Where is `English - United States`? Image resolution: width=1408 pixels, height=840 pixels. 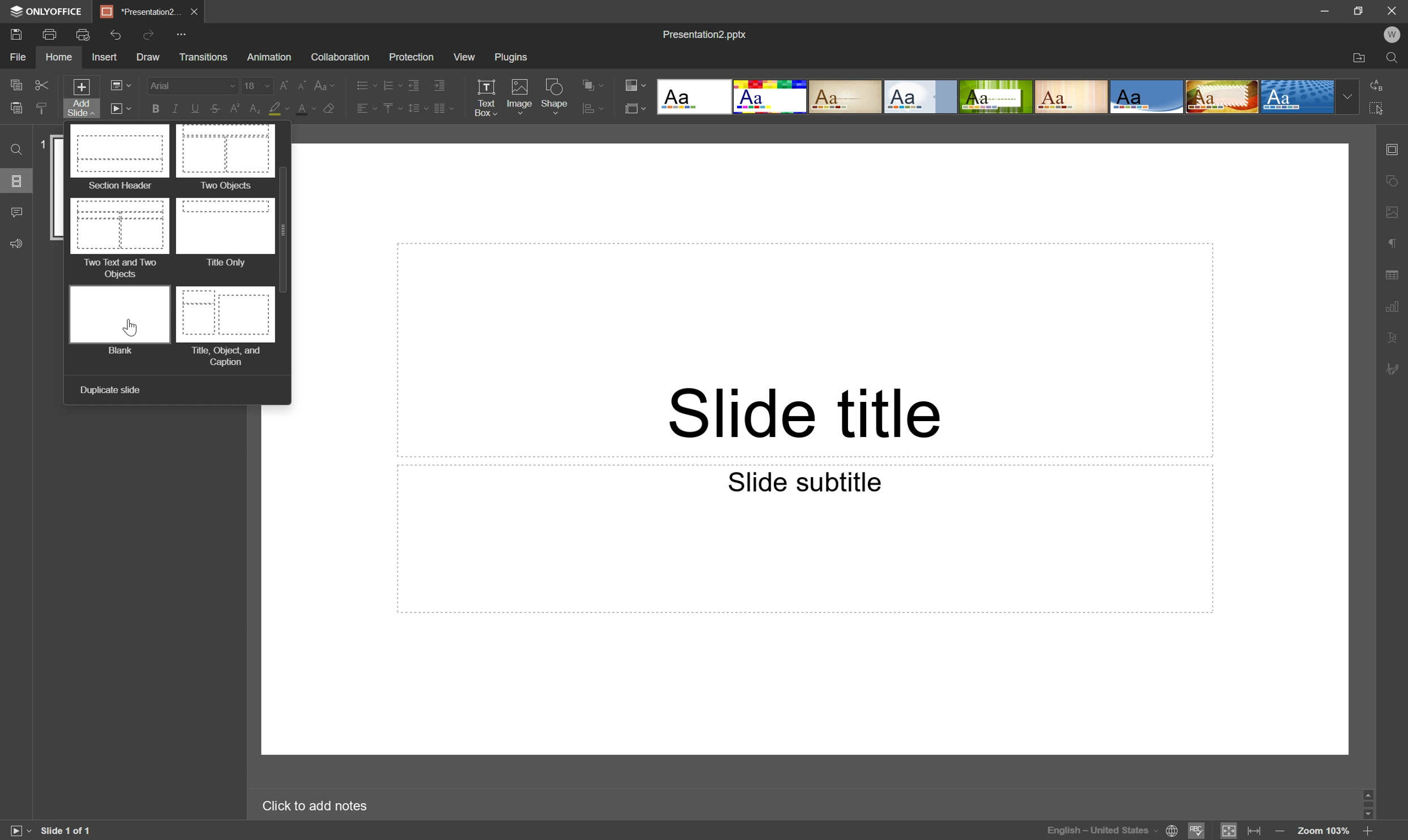 English - United States is located at coordinates (1100, 833).